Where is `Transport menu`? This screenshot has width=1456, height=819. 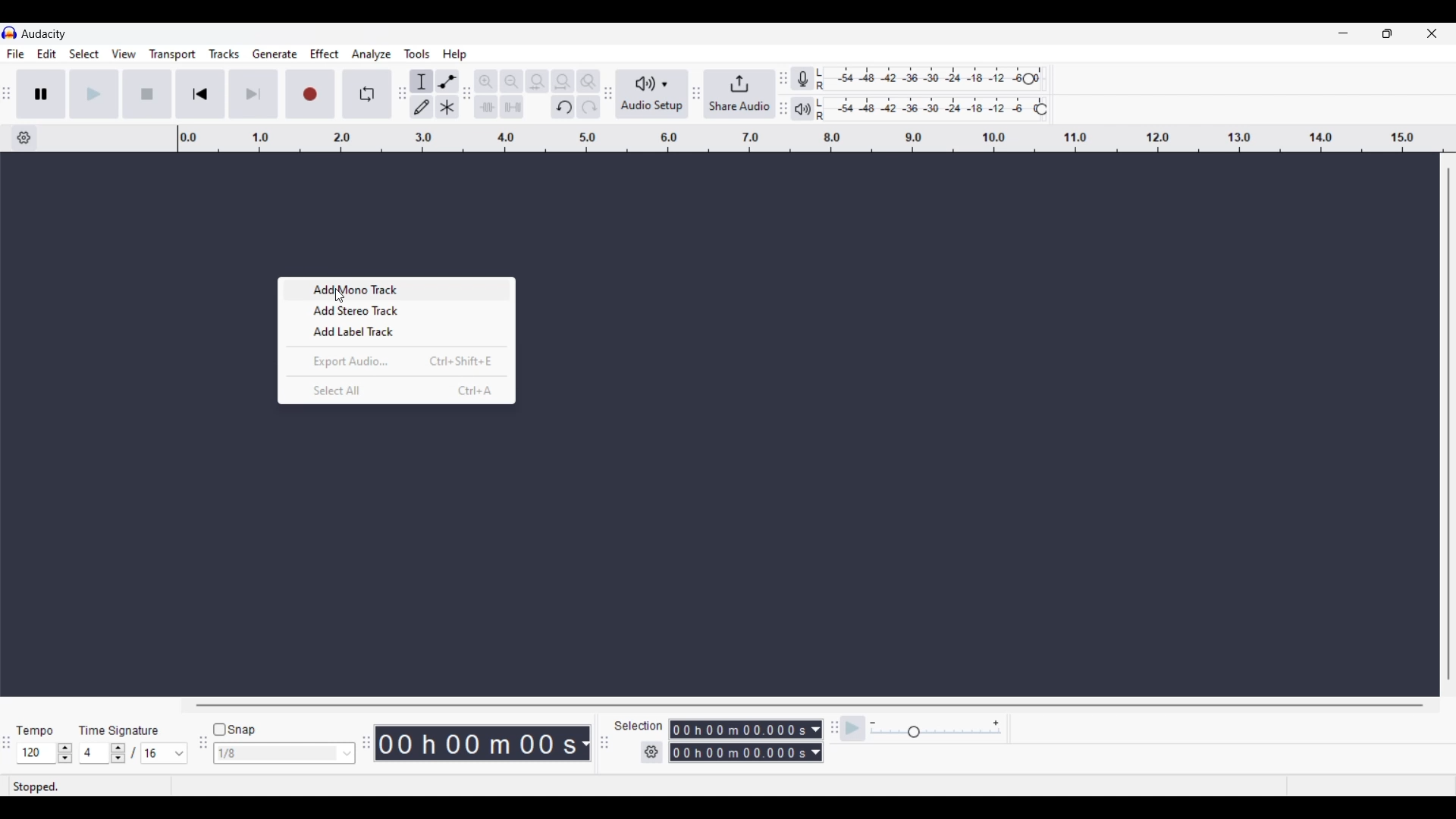
Transport menu is located at coordinates (173, 54).